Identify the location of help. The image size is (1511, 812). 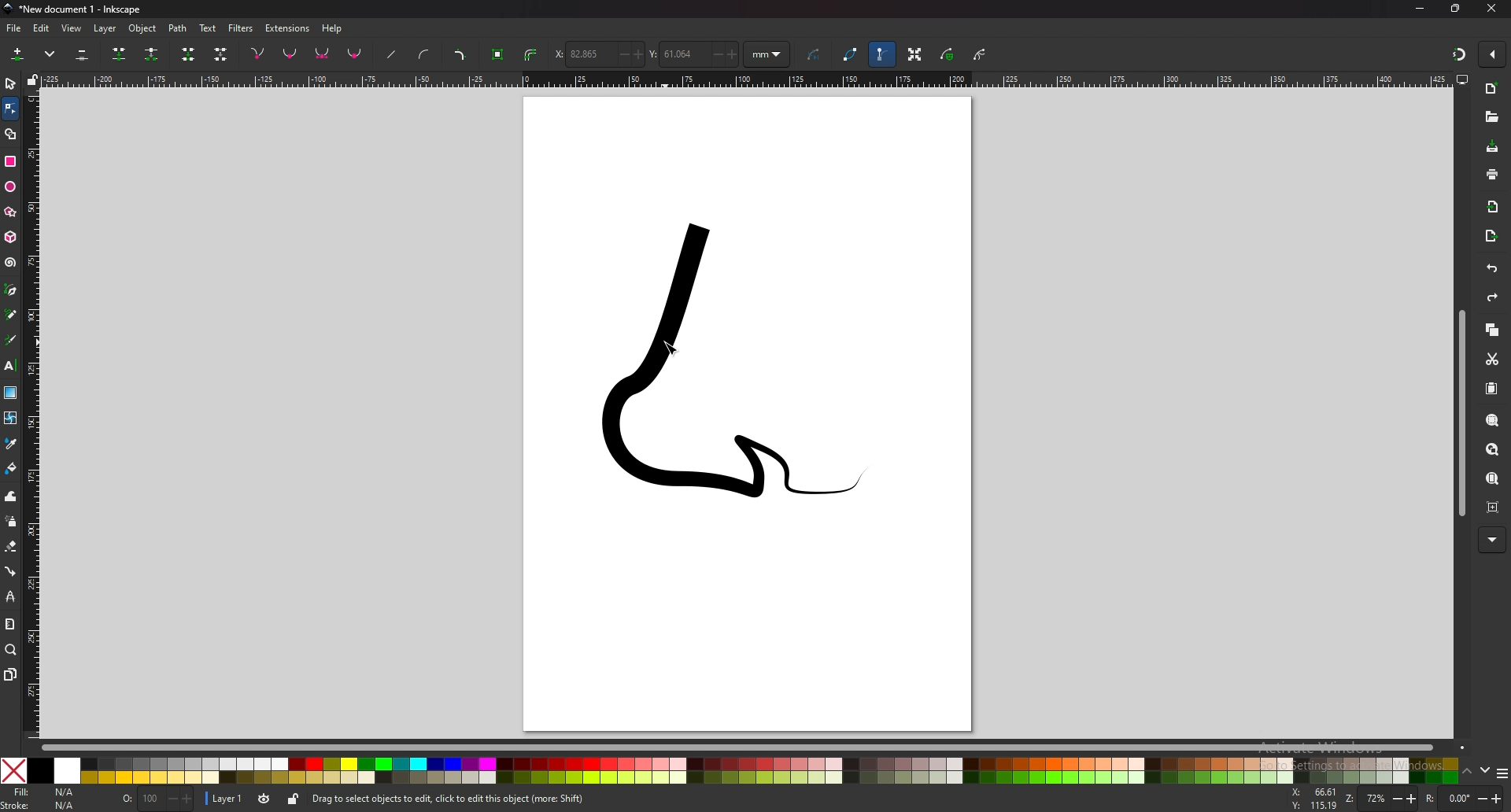
(334, 28).